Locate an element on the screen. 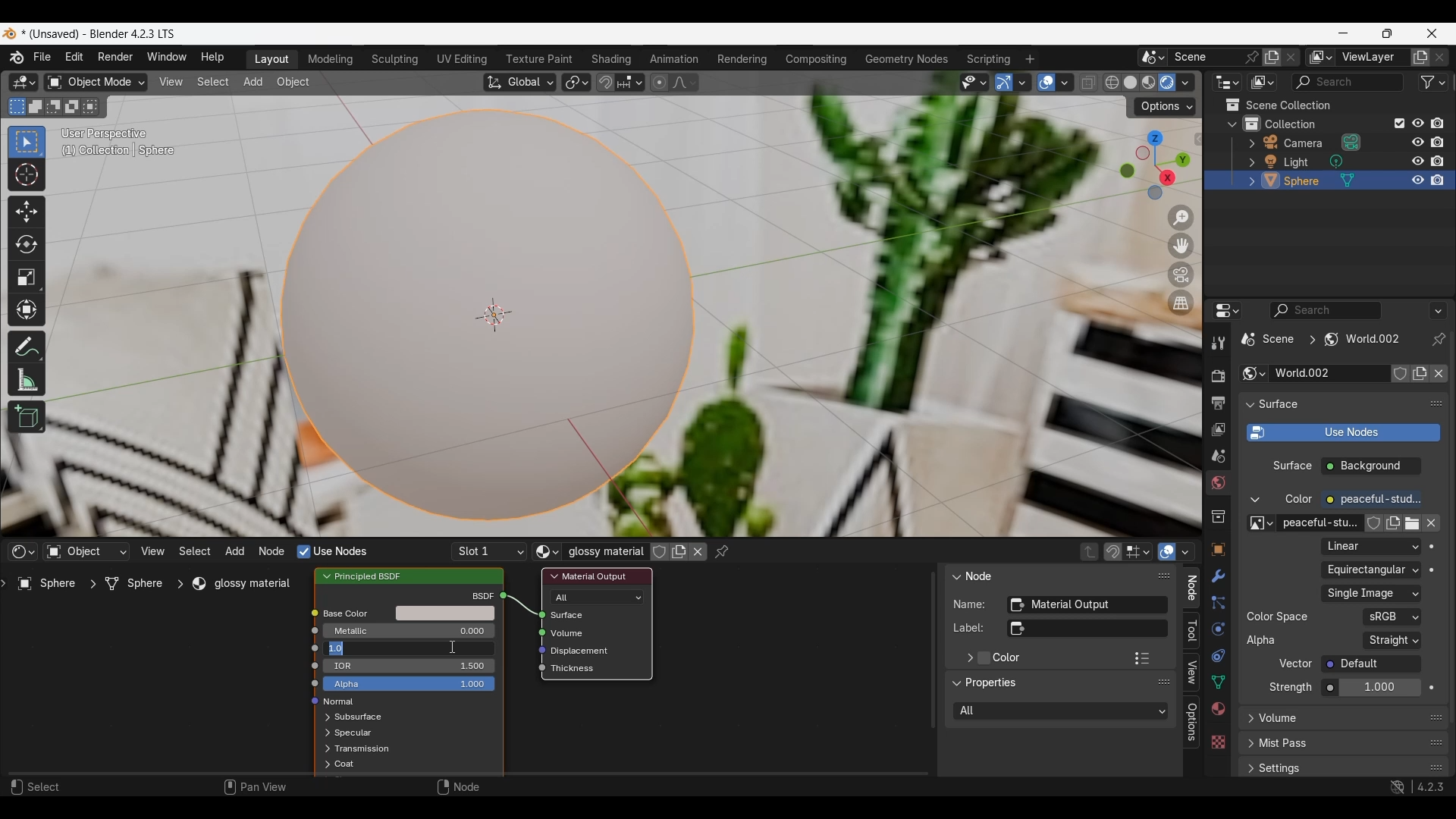 The height and width of the screenshot is (819, 1456). Editor type is located at coordinates (23, 551).